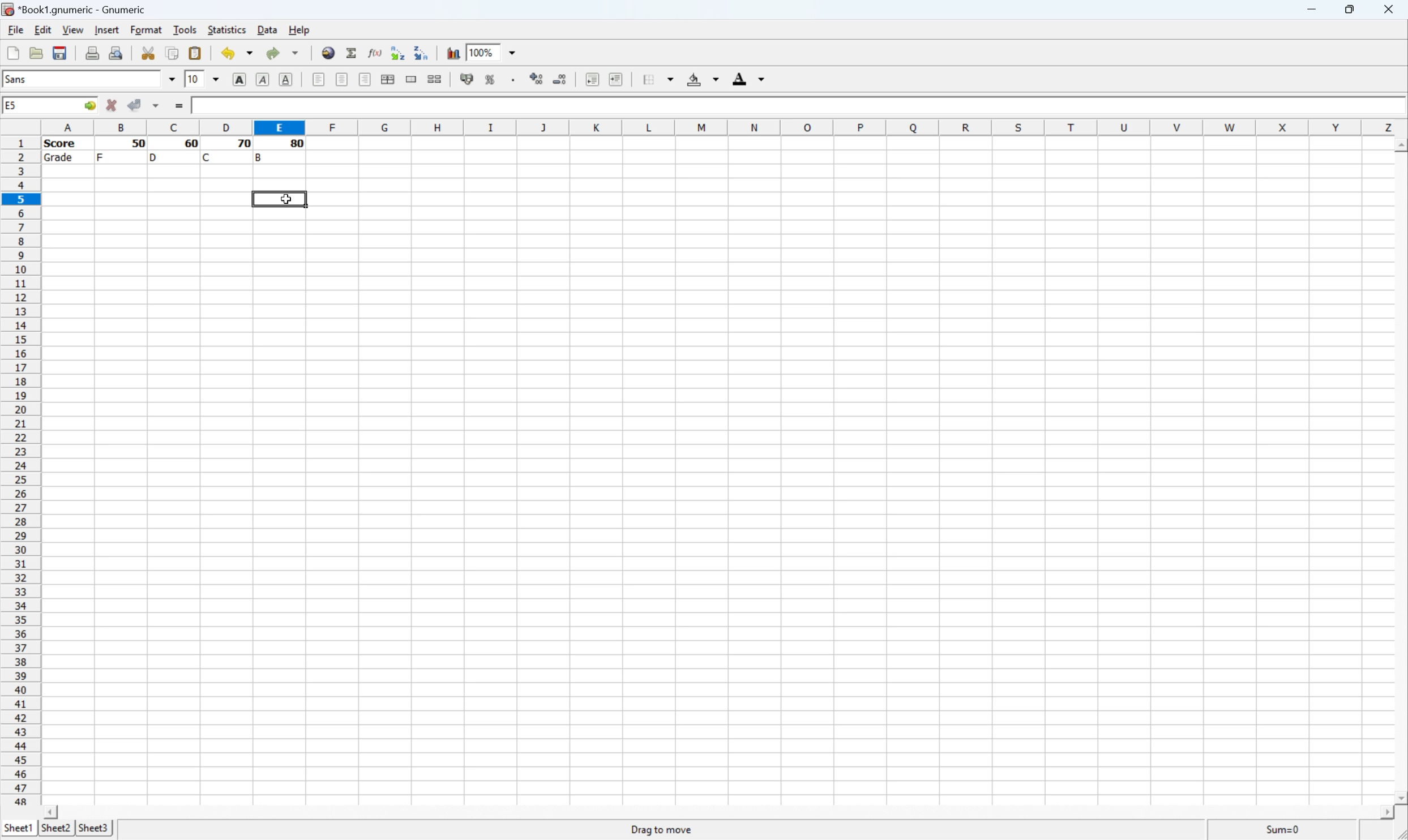 The image size is (1408, 840). What do you see at coordinates (88, 105) in the screenshot?
I see `Go to` at bounding box center [88, 105].